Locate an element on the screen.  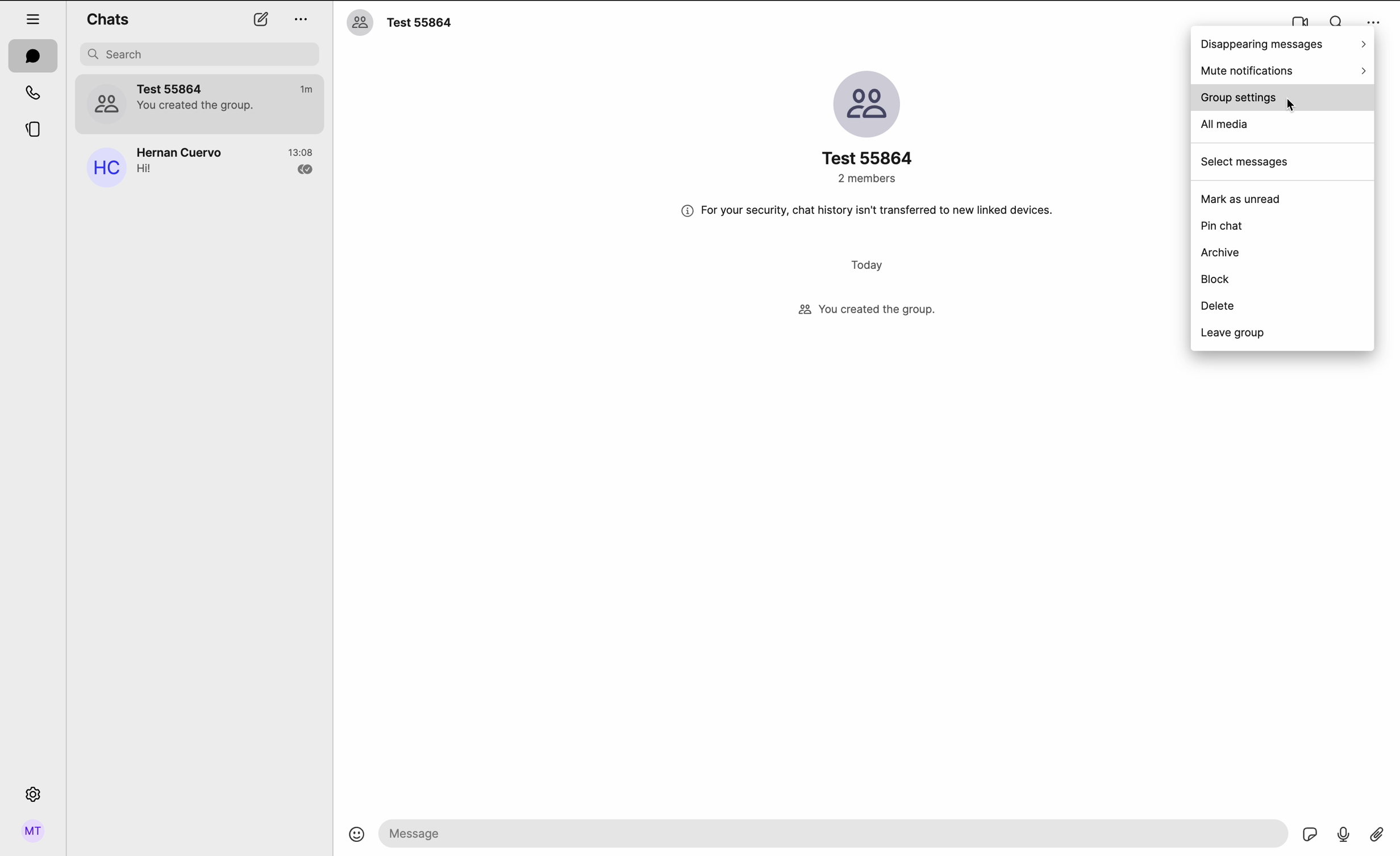
search bar is located at coordinates (202, 54).